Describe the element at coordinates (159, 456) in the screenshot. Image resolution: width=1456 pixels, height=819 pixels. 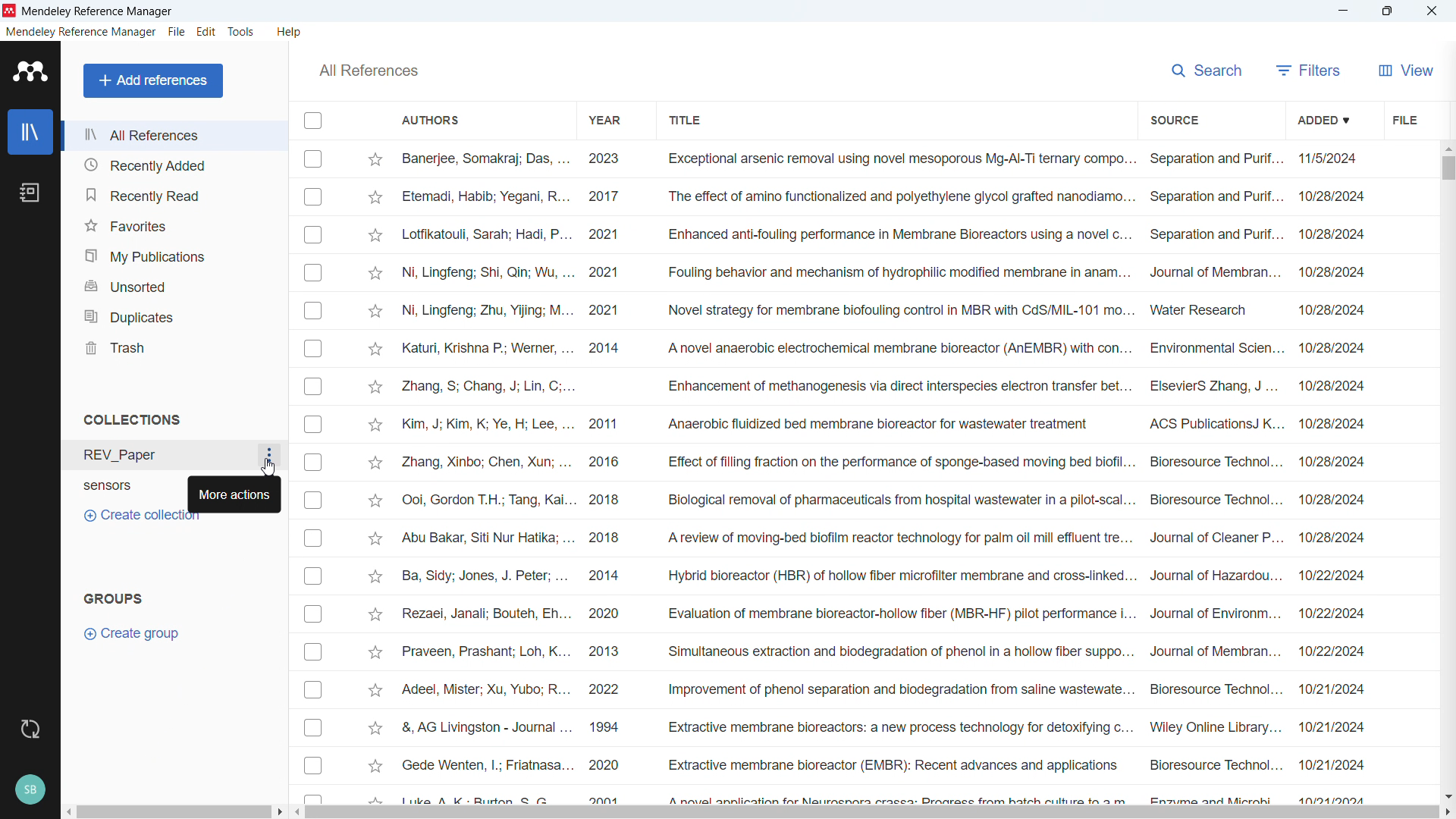
I see `REV_Paper` at that location.